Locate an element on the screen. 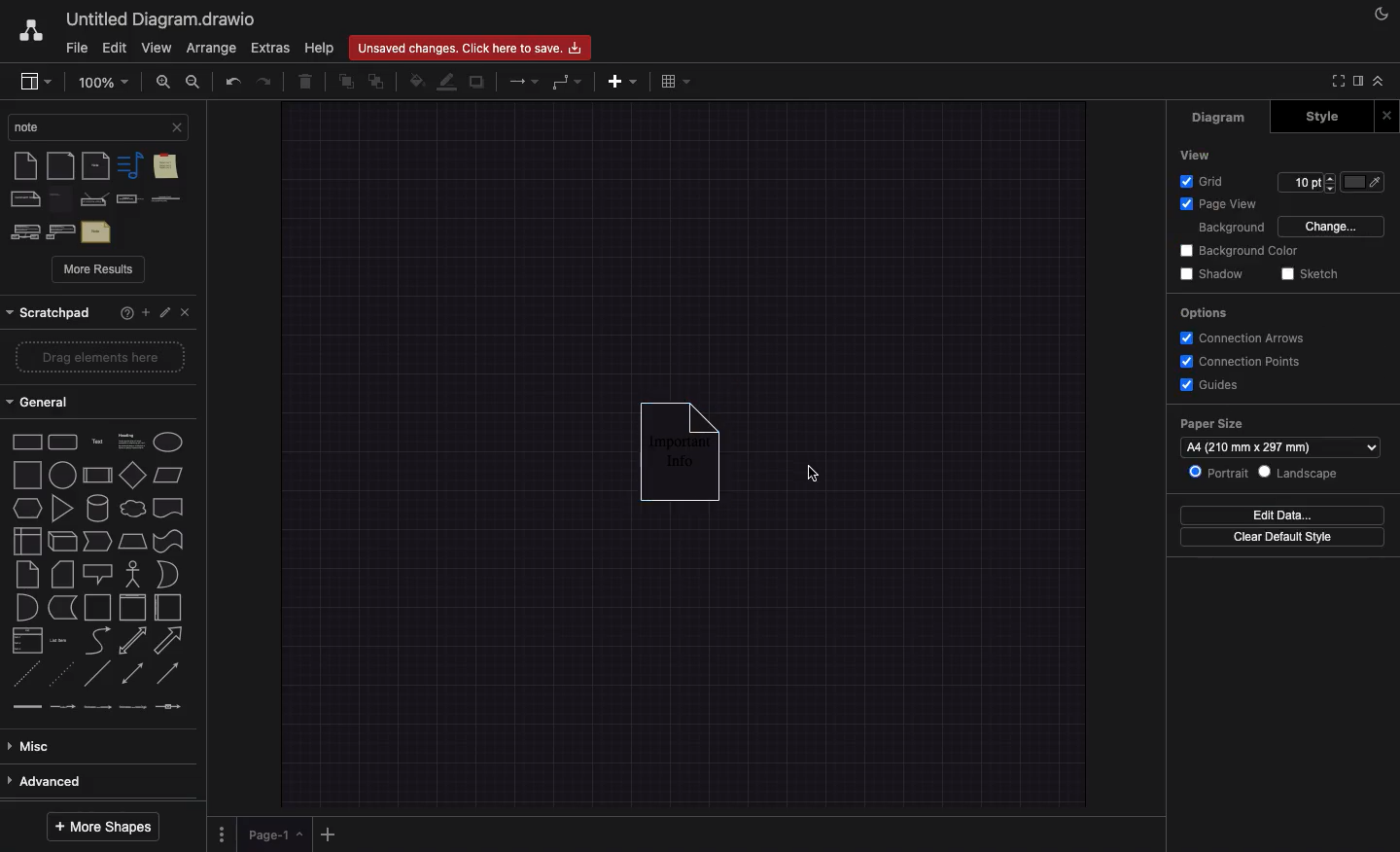 Image resolution: width=1400 pixels, height=852 pixels. Arrows is located at coordinates (521, 80).